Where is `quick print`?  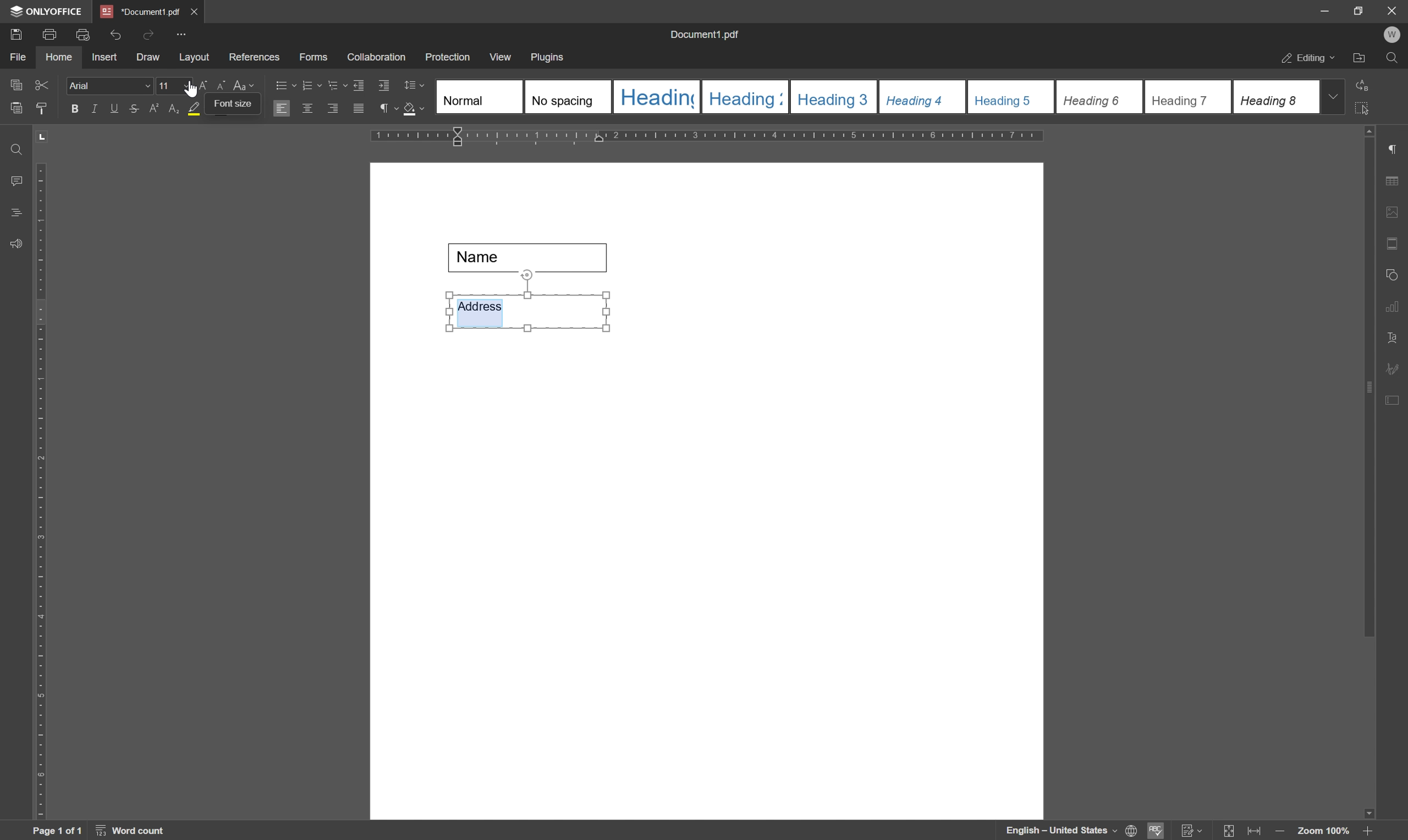
quick print is located at coordinates (80, 33).